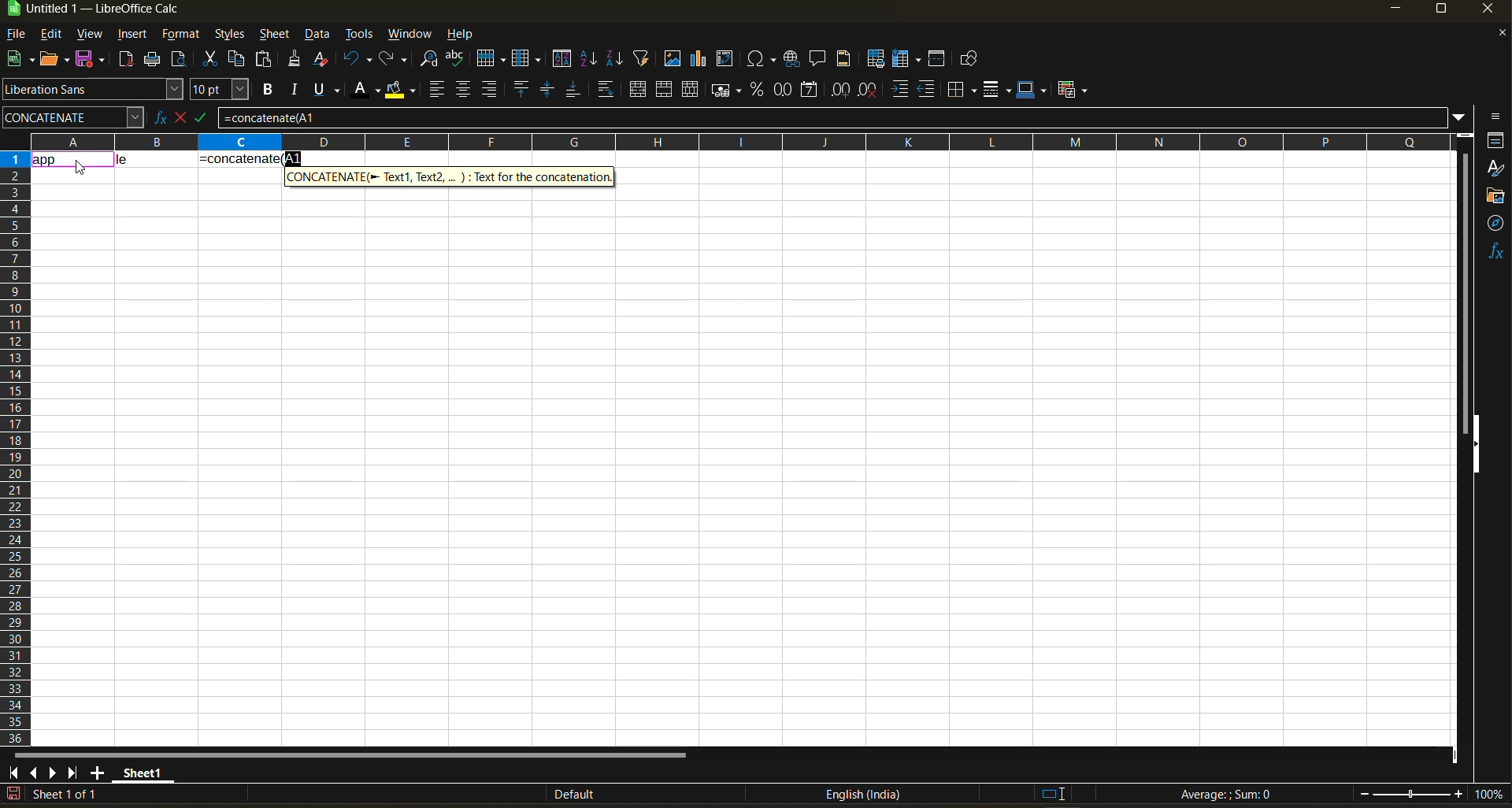  What do you see at coordinates (319, 35) in the screenshot?
I see `data` at bounding box center [319, 35].